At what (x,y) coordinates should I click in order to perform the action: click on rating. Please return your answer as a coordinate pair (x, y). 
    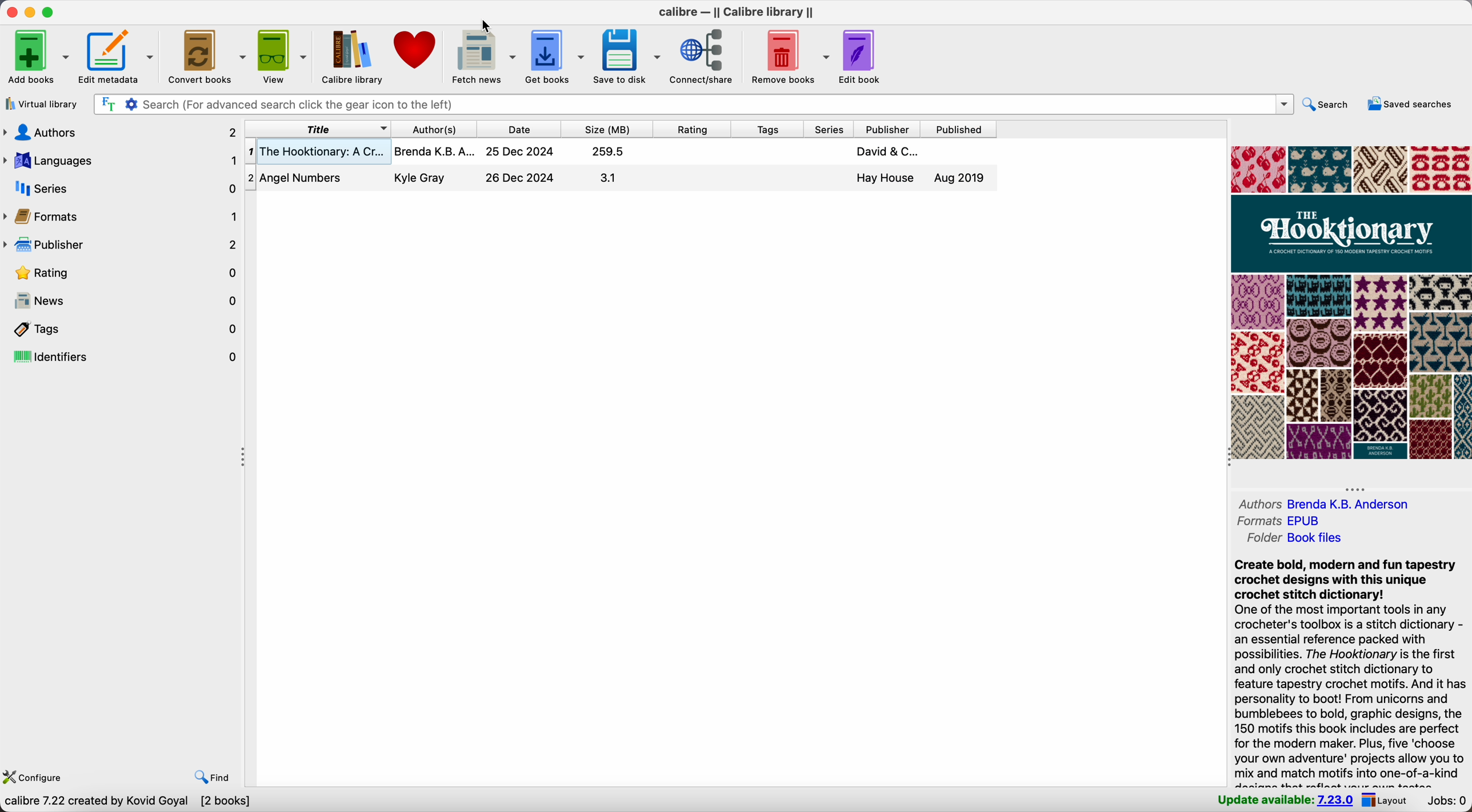
    Looking at the image, I should click on (130, 274).